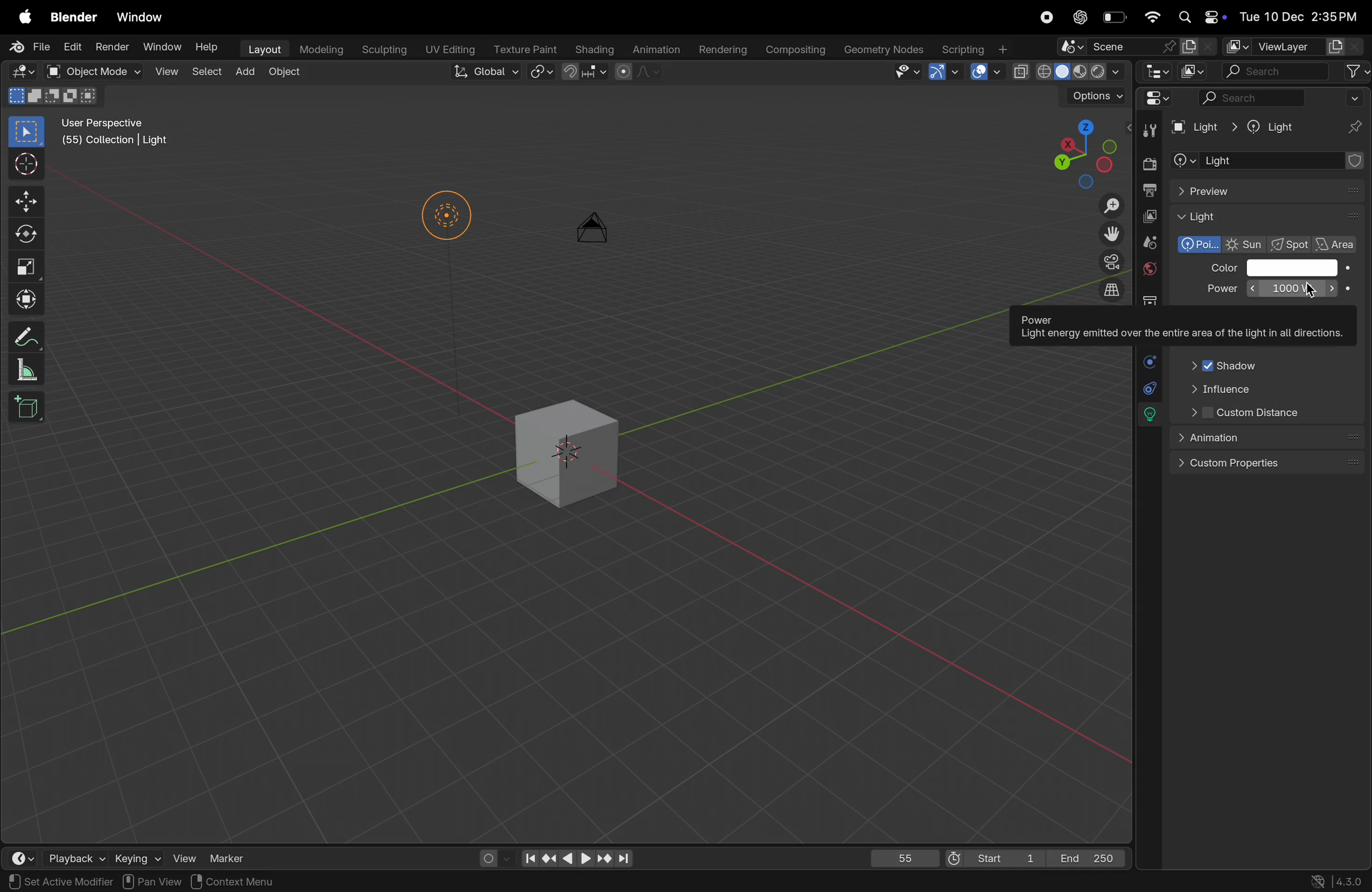  Describe the element at coordinates (117, 134) in the screenshot. I see `User perspective` at that location.